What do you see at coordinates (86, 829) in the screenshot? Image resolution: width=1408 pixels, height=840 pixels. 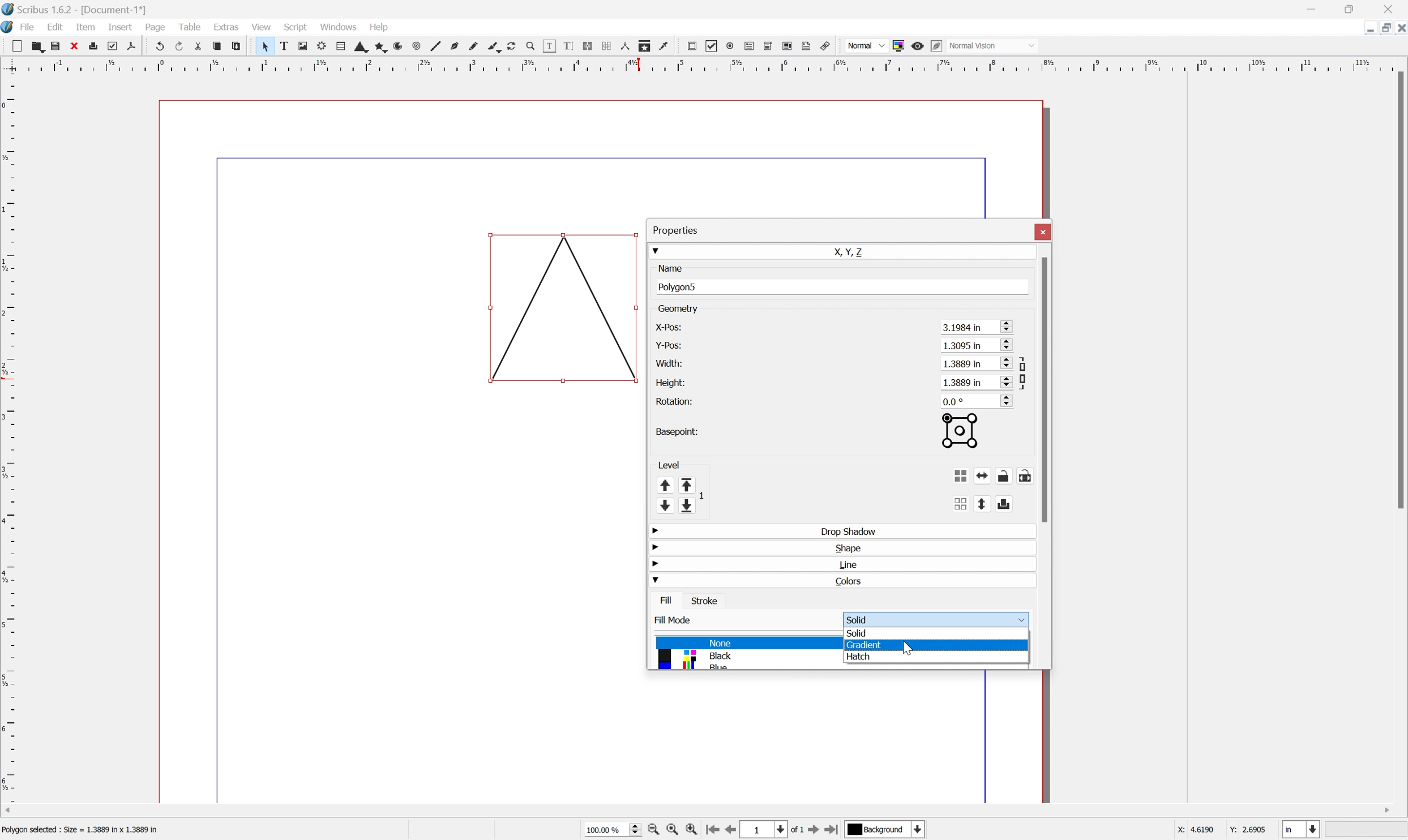 I see `Text` at bounding box center [86, 829].